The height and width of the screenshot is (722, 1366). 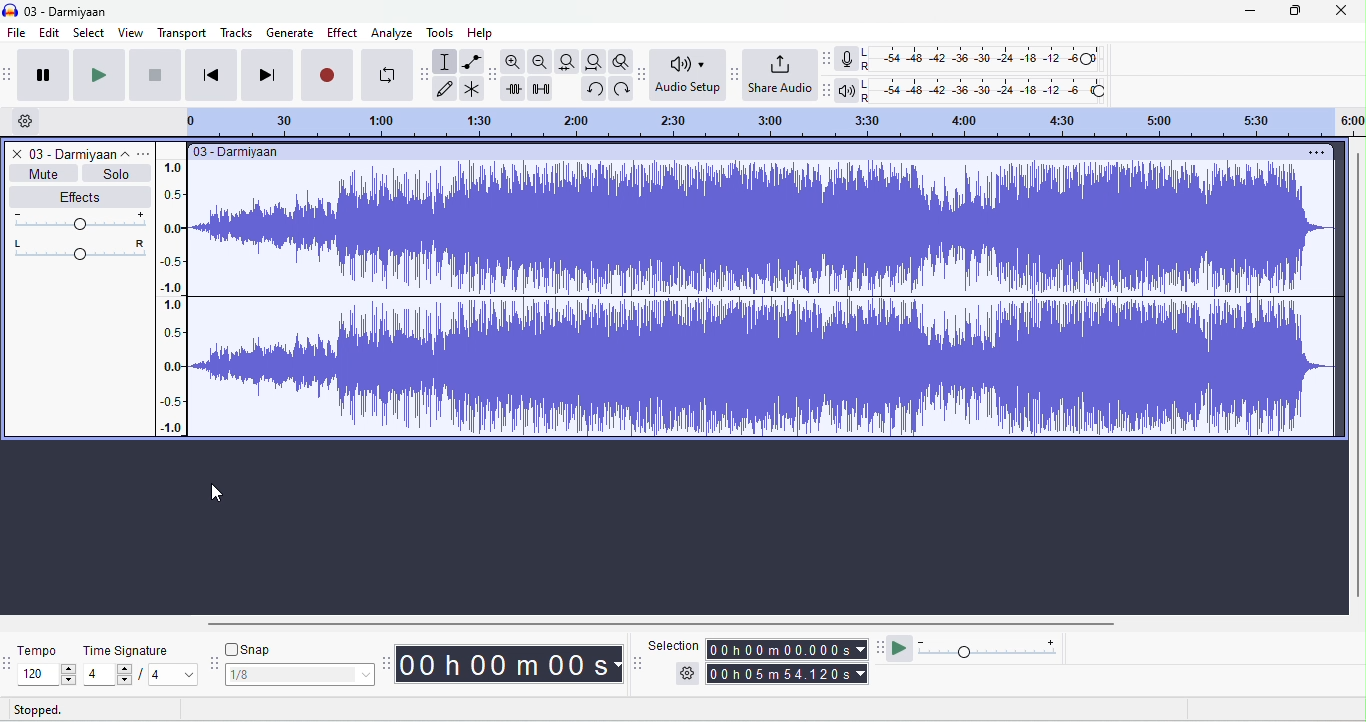 What do you see at coordinates (470, 90) in the screenshot?
I see `multi tool` at bounding box center [470, 90].